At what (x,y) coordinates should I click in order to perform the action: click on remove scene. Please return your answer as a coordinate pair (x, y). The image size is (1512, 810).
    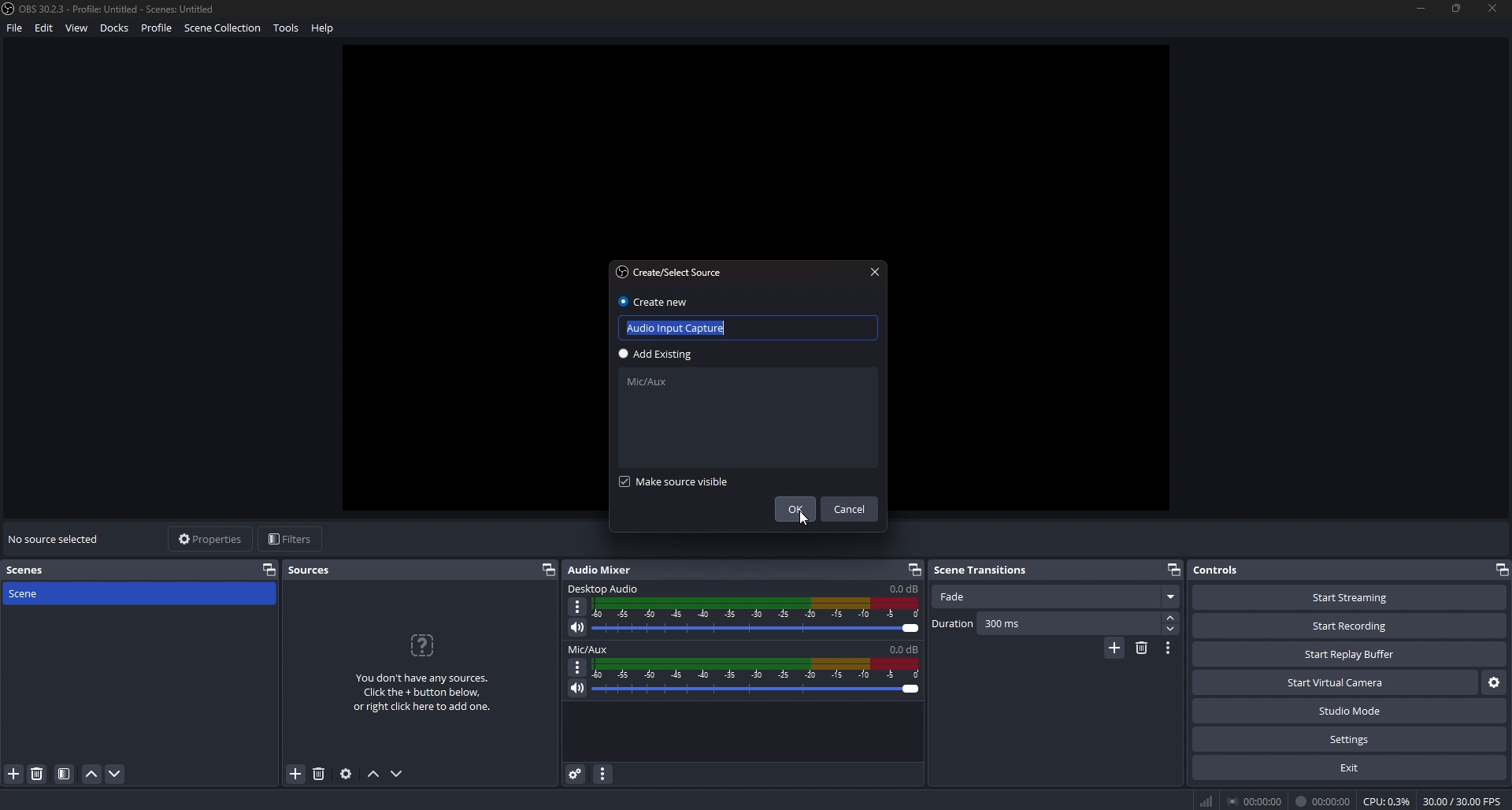
    Looking at the image, I should click on (37, 774).